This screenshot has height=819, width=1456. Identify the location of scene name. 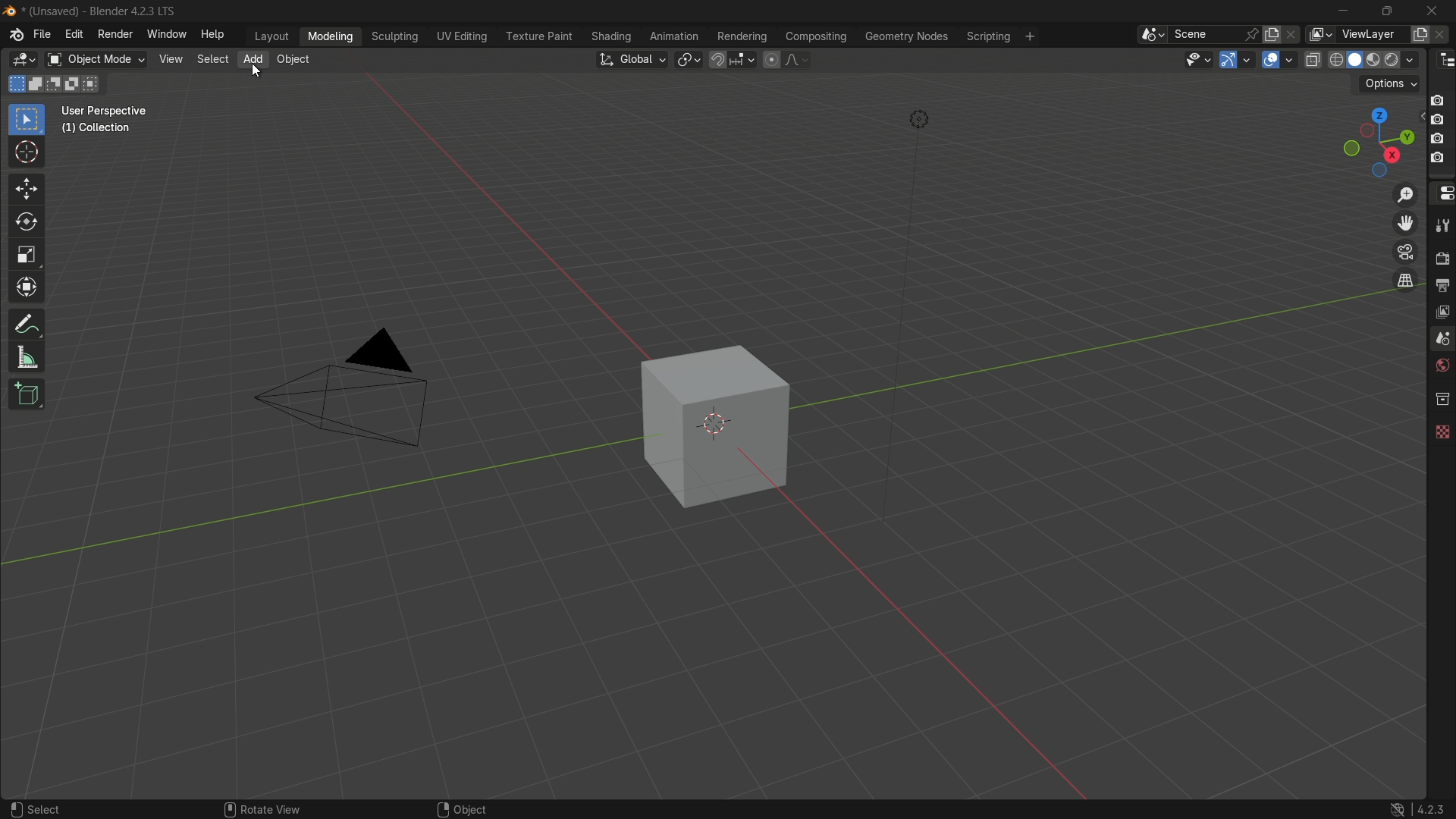
(1203, 35).